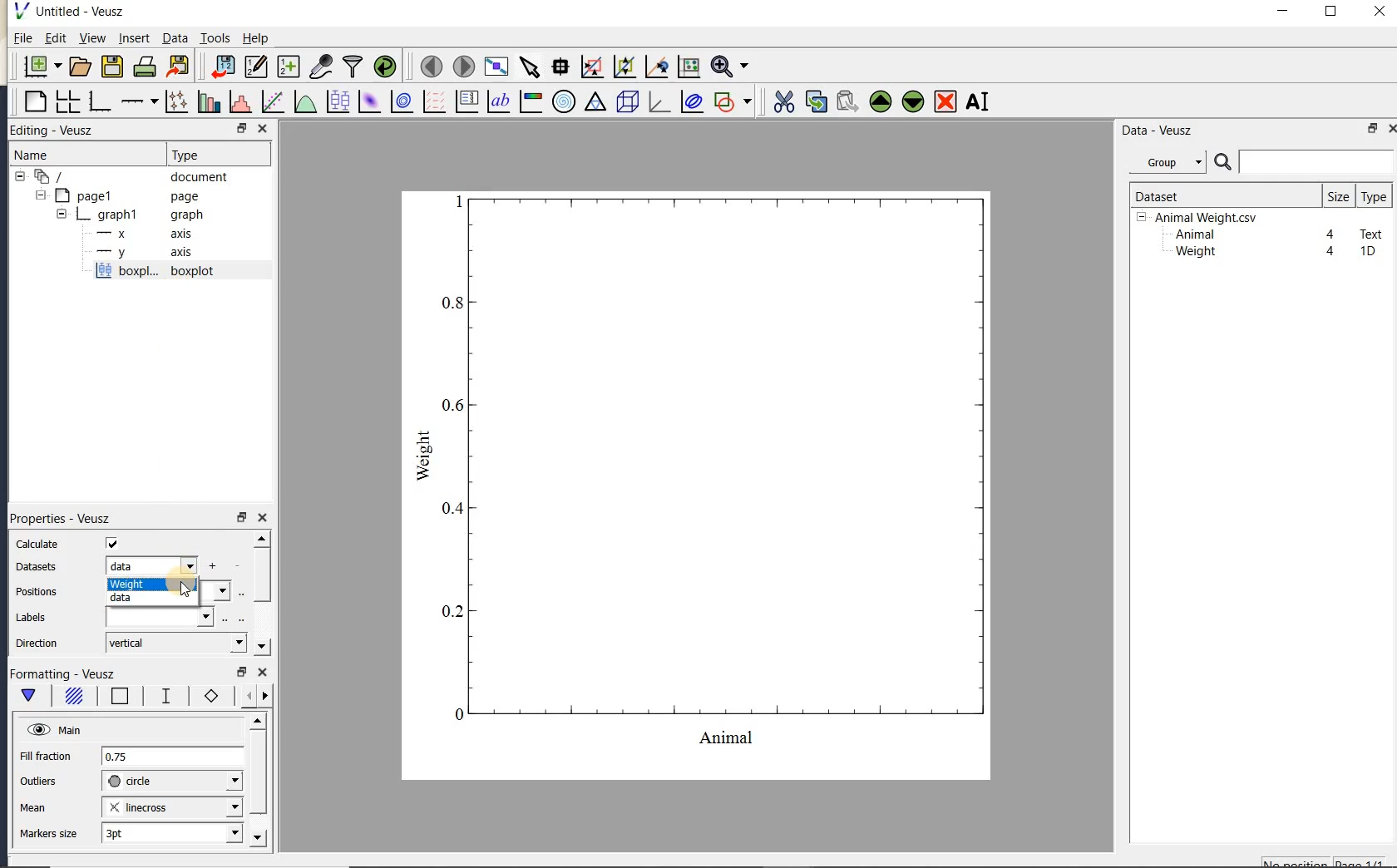  I want to click on histogram of a dataset, so click(239, 101).